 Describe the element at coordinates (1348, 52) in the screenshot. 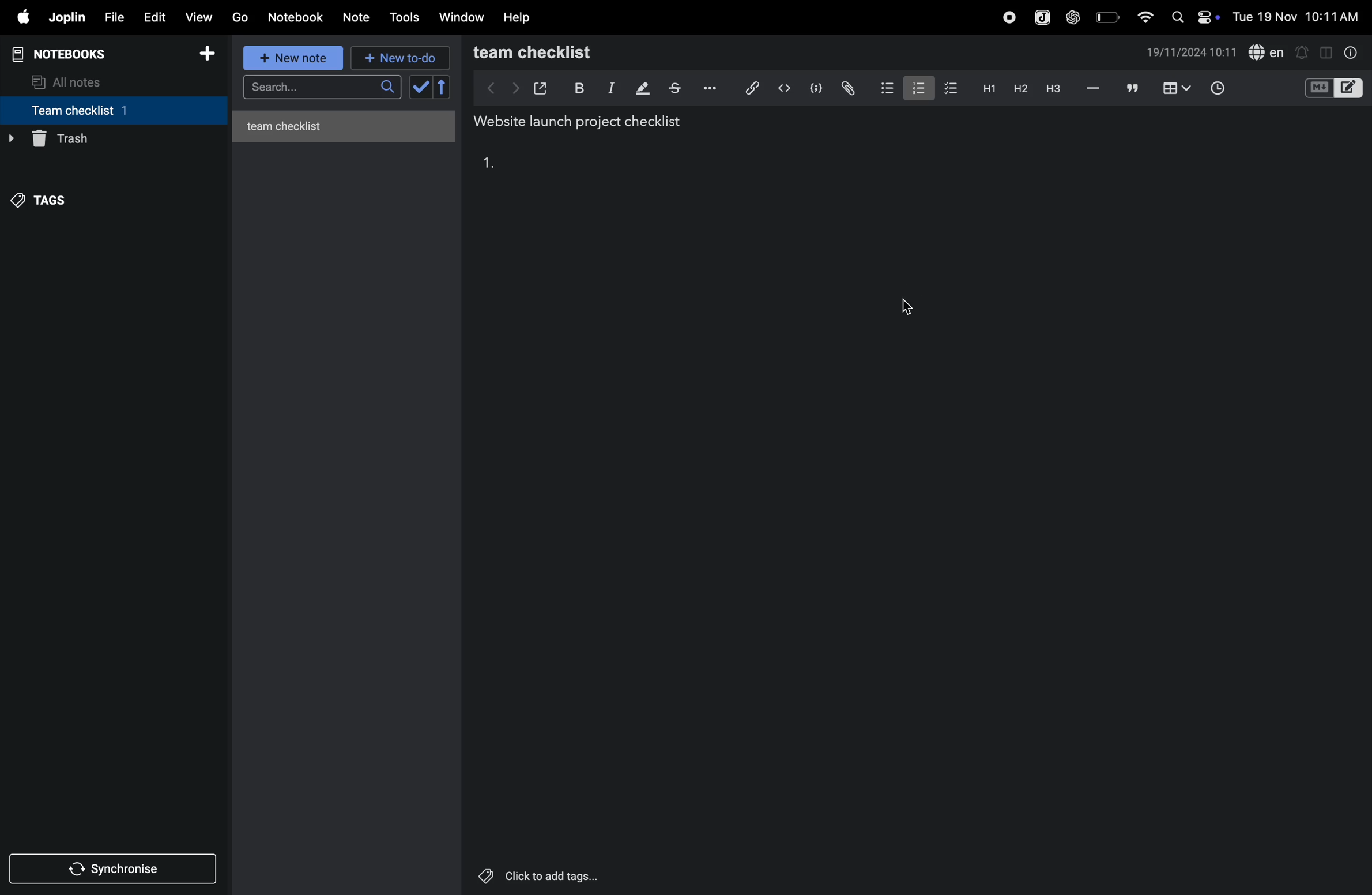

I see `info` at that location.